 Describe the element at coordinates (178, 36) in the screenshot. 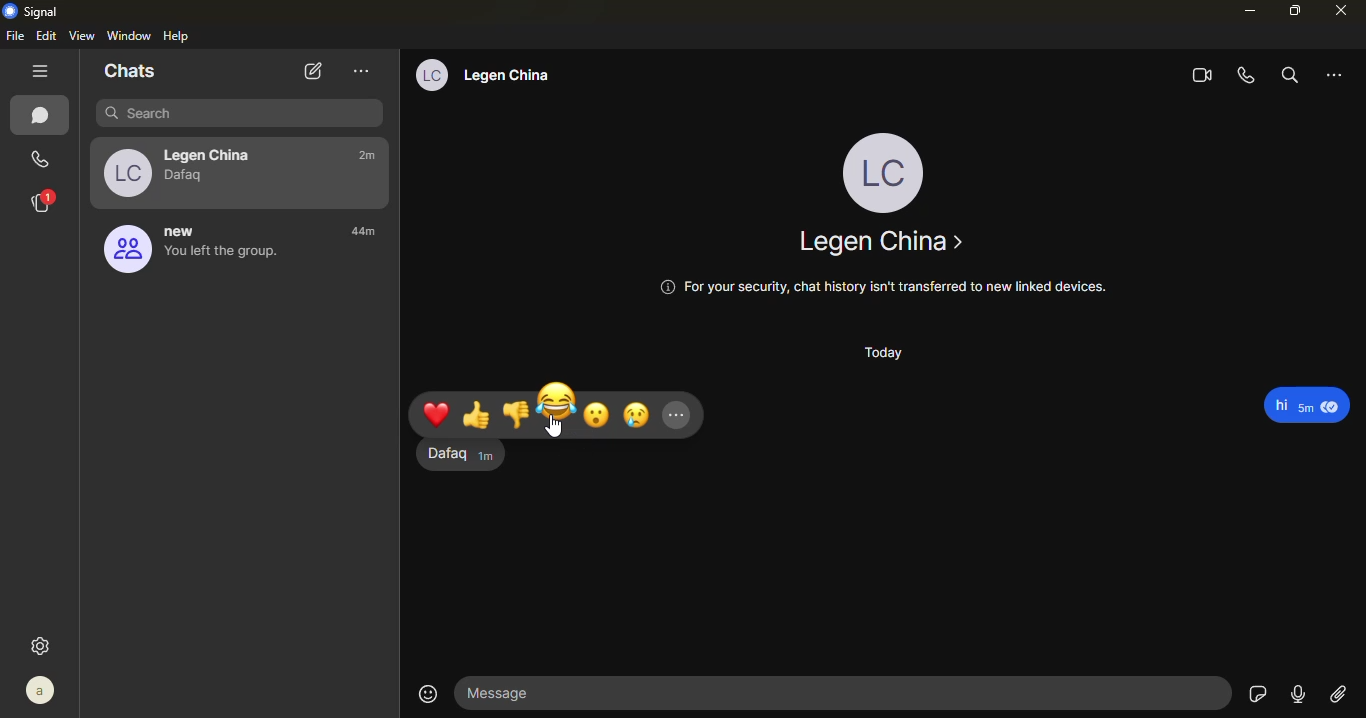

I see `help` at that location.